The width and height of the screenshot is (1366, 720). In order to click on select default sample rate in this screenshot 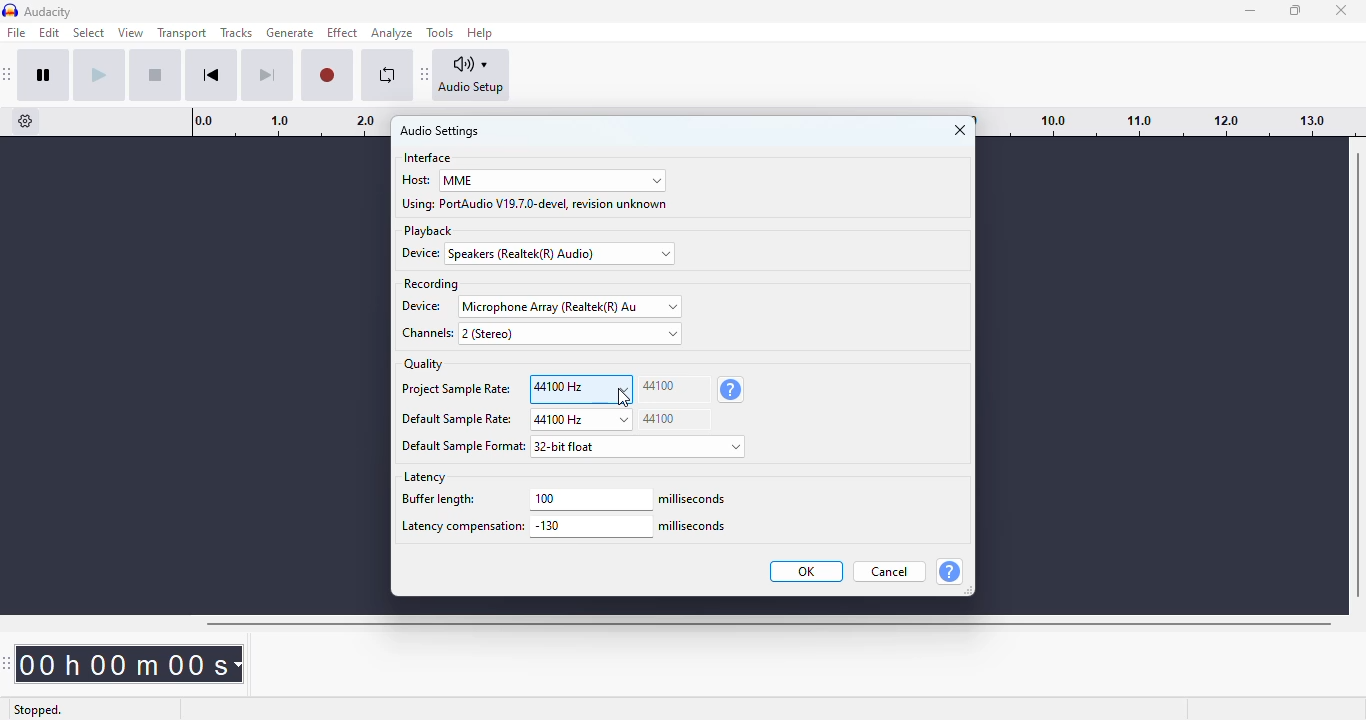, I will do `click(580, 420)`.